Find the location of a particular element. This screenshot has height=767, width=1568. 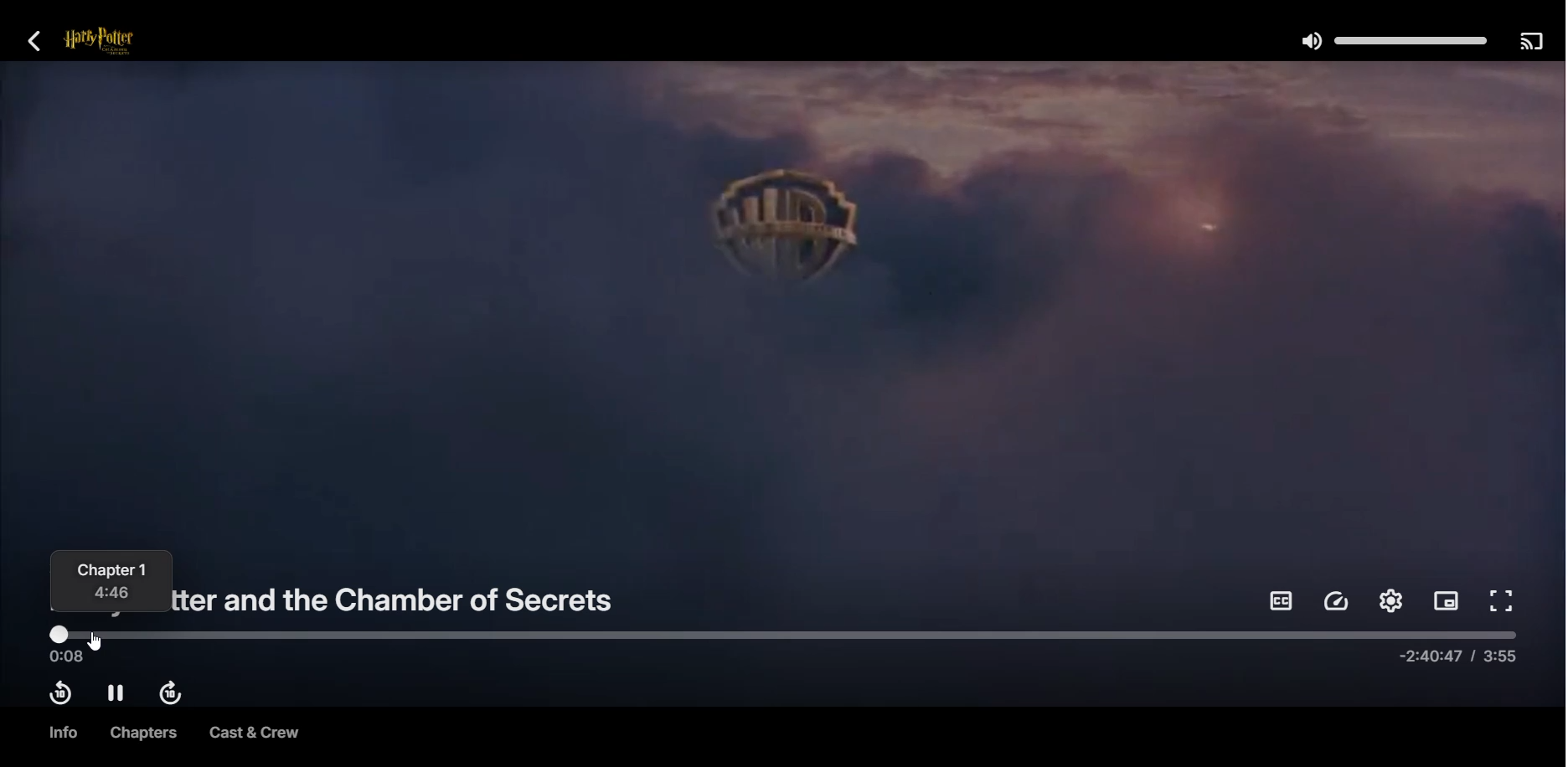

Movie Title is located at coordinates (403, 596).